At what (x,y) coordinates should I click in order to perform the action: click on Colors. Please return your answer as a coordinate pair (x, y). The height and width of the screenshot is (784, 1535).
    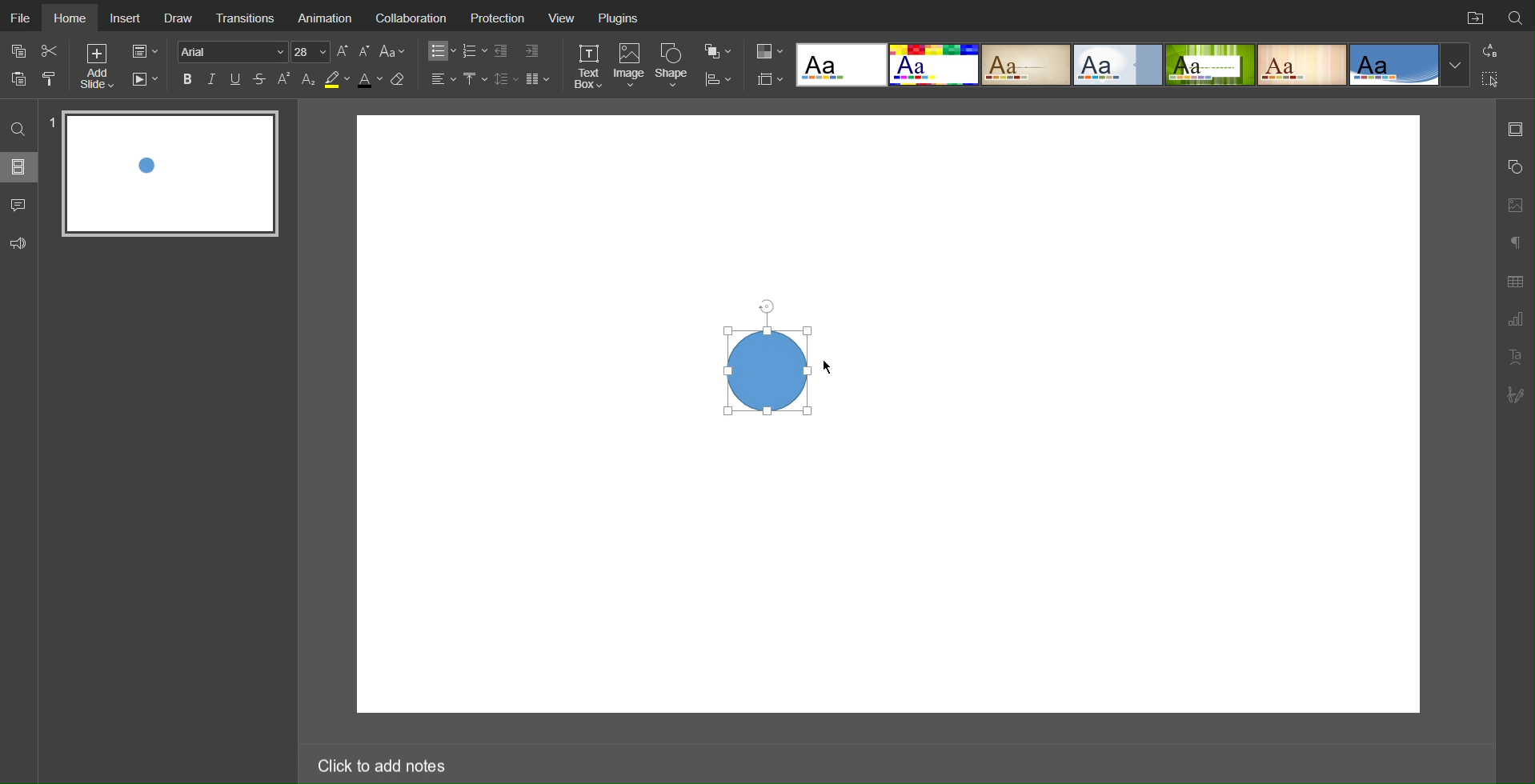
    Looking at the image, I should click on (767, 50).